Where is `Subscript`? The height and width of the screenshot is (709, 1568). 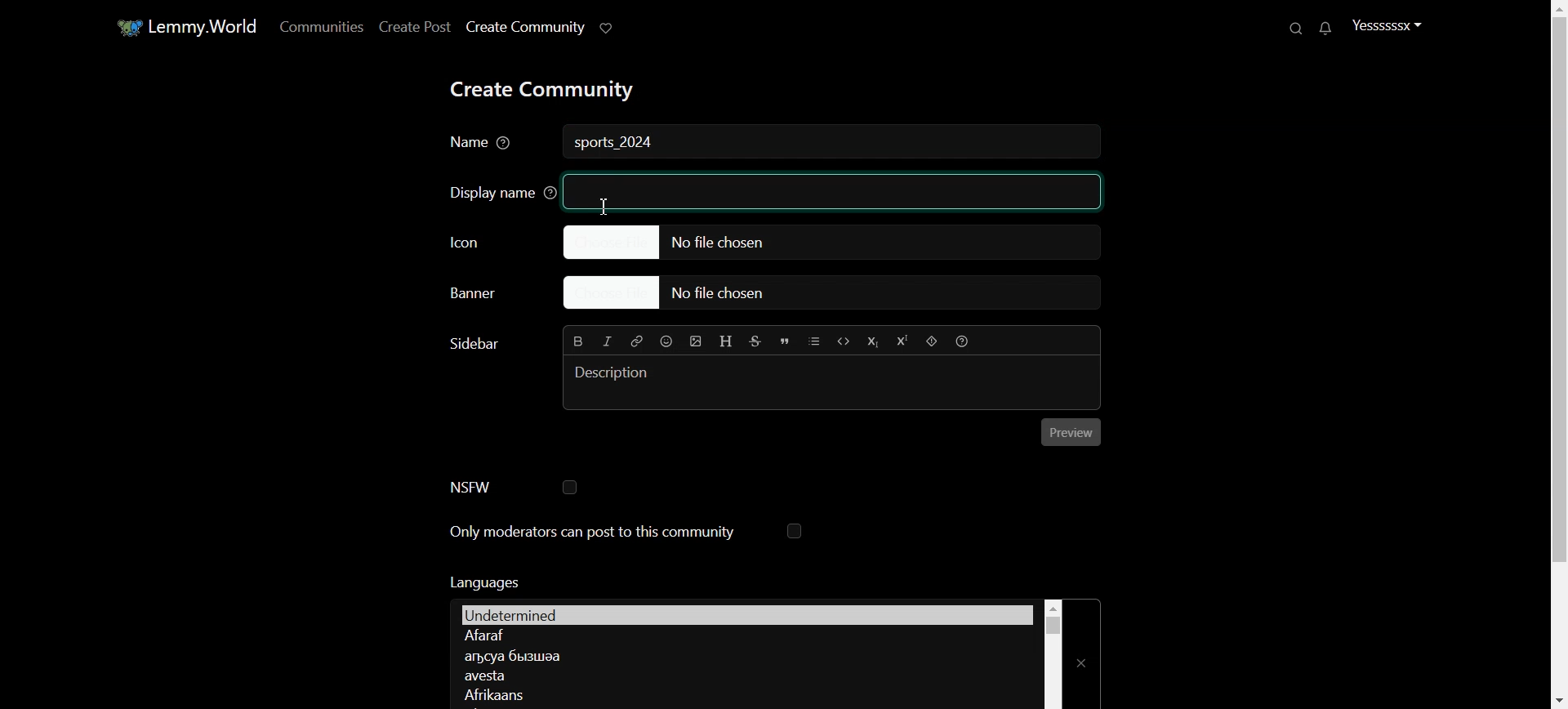 Subscript is located at coordinates (871, 341).